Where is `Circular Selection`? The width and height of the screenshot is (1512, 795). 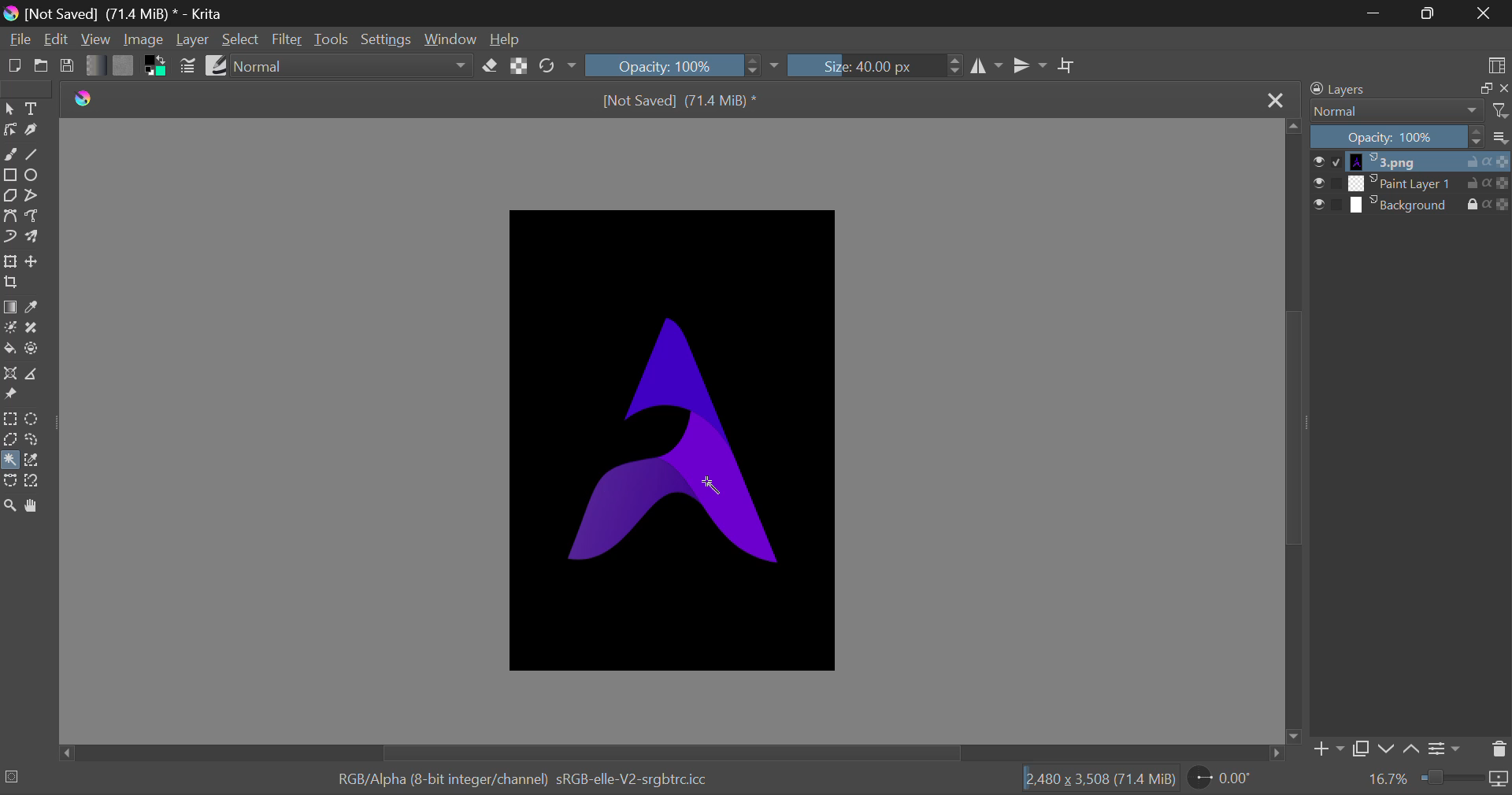
Circular Selection is located at coordinates (33, 420).